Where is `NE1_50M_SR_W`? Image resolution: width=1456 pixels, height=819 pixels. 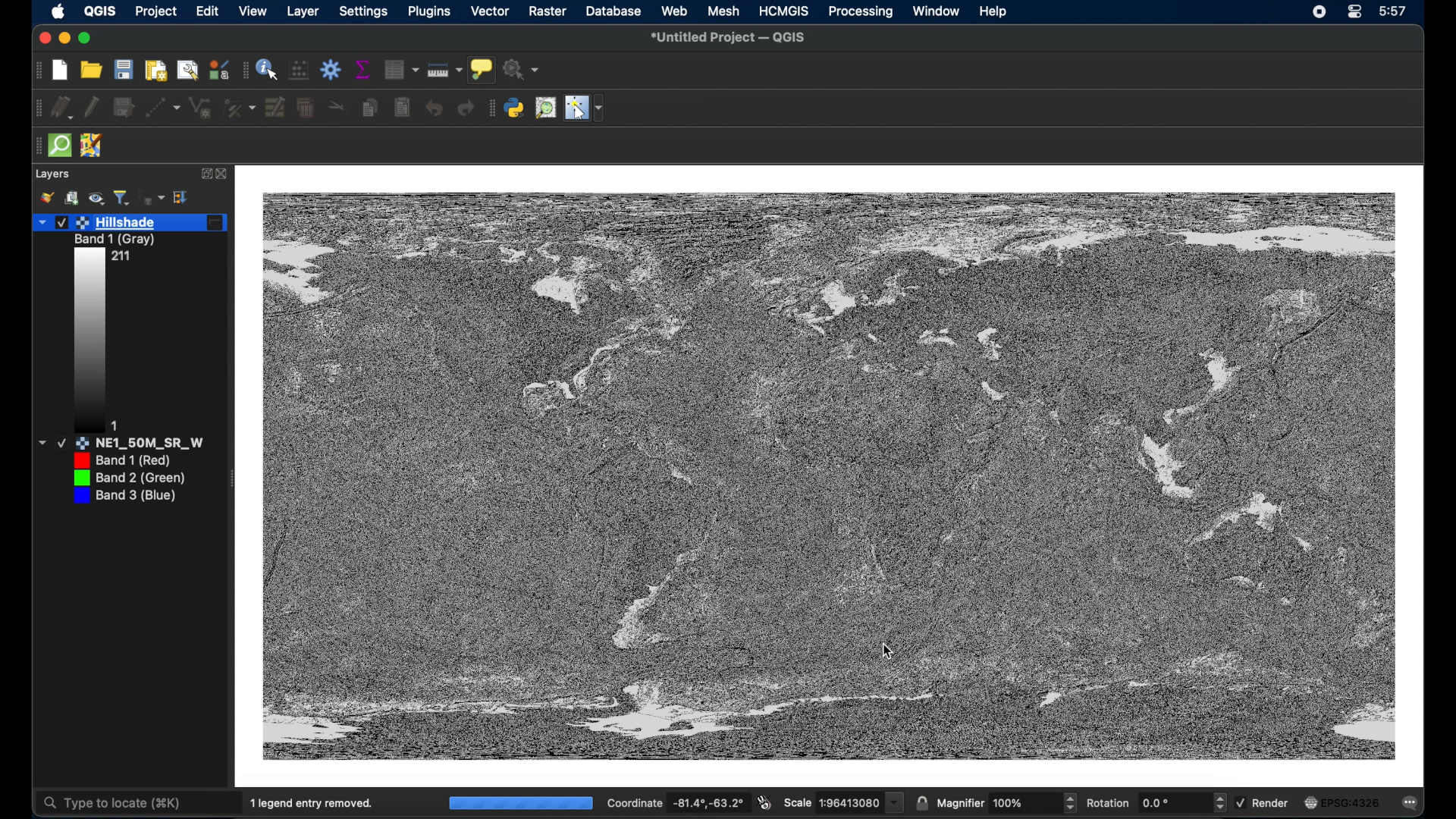 NE1_50M_SR_W is located at coordinates (136, 444).